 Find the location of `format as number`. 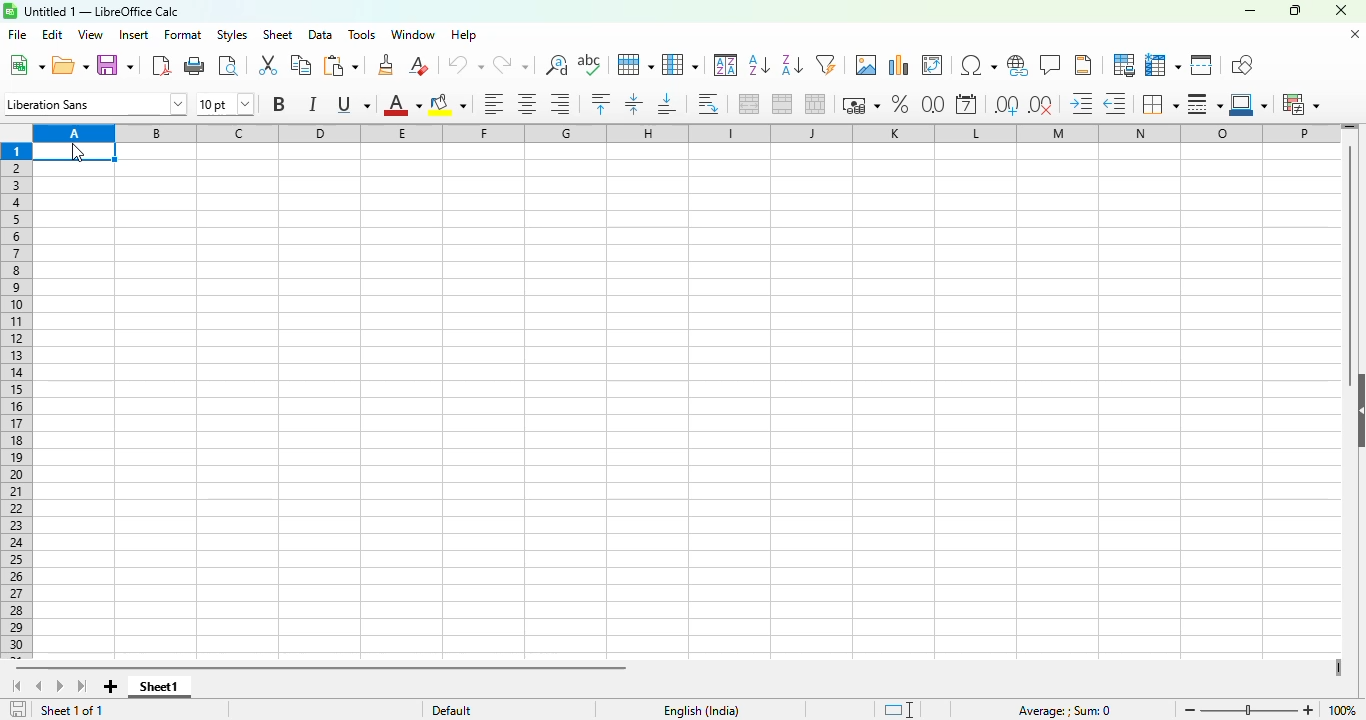

format as number is located at coordinates (933, 103).